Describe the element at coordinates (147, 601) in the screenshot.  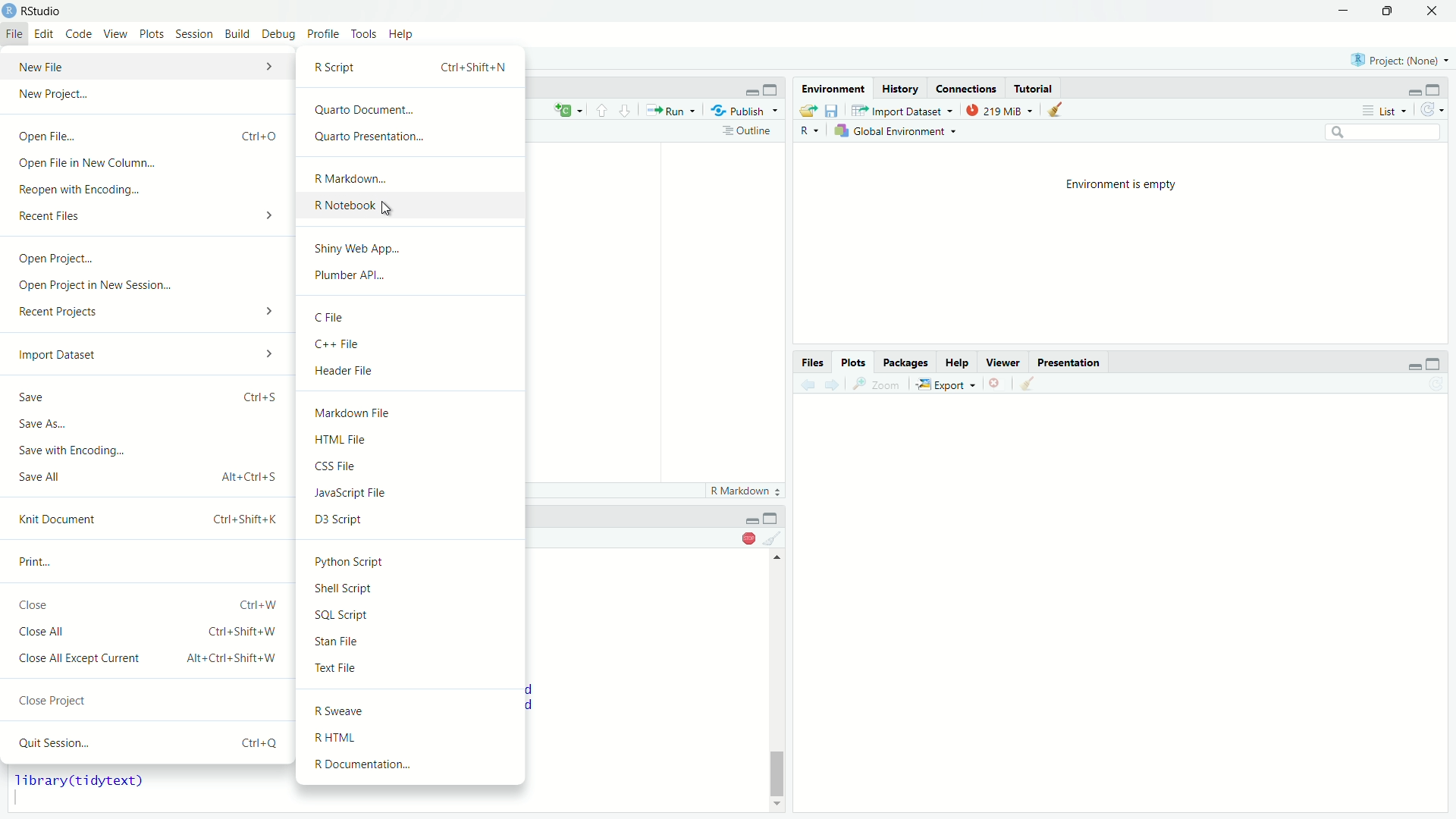
I see `Close` at that location.